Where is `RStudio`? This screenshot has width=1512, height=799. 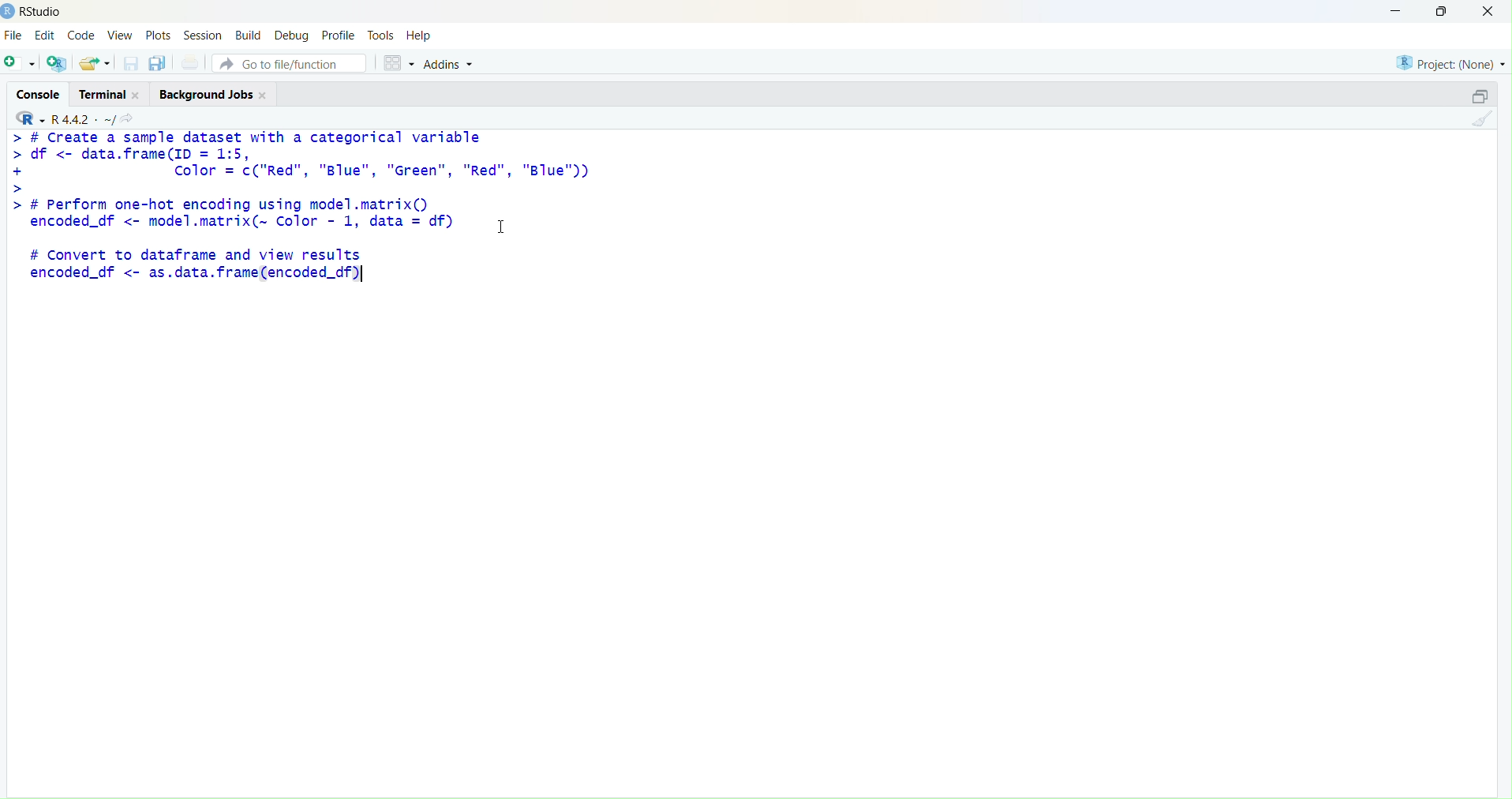
RStudio is located at coordinates (43, 12).